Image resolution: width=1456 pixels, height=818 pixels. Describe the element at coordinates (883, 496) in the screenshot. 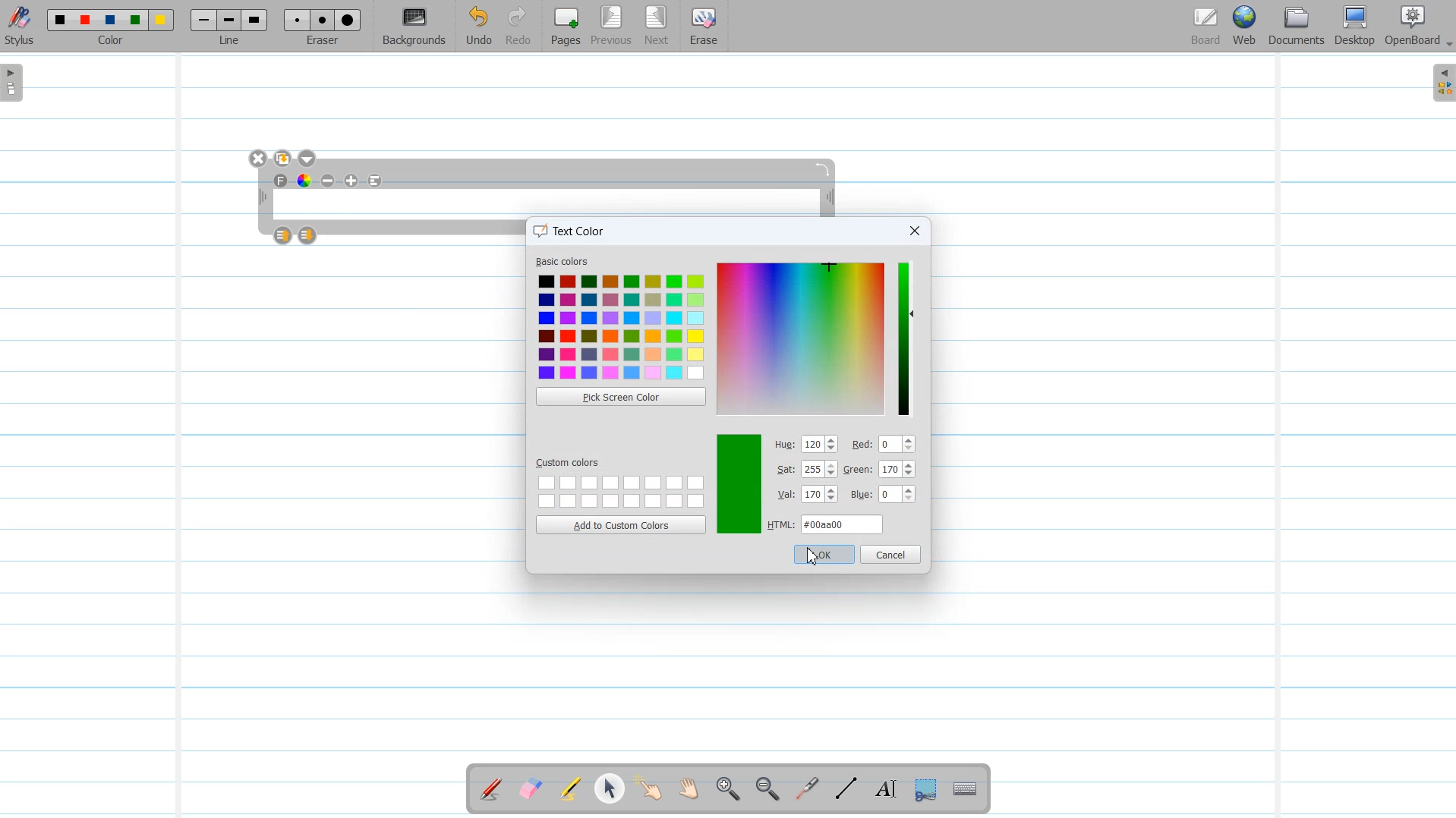

I see `Blue pigment adjuster` at that location.